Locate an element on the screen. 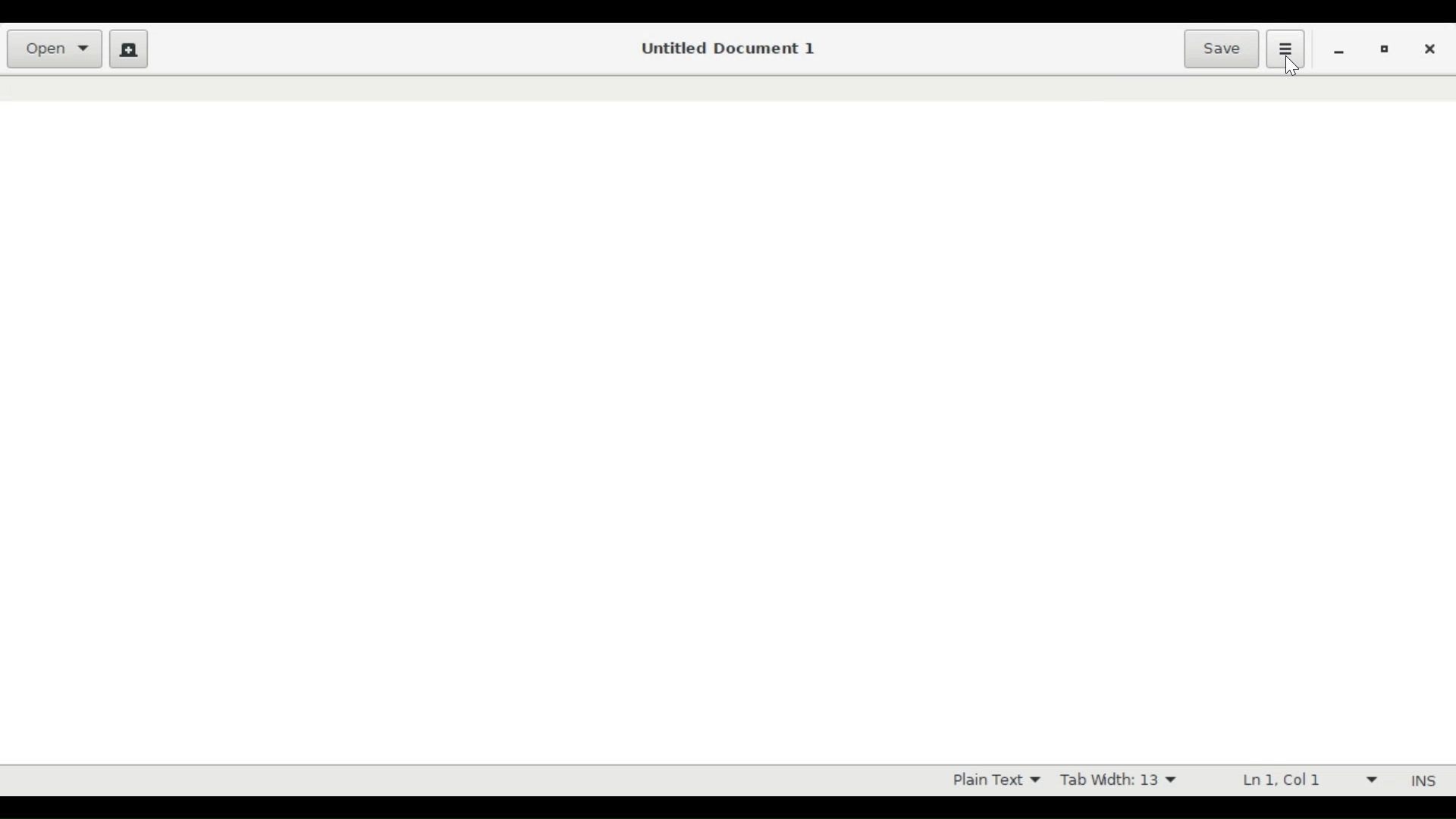 Image resolution: width=1456 pixels, height=819 pixels. Ln 1 Col 1 is located at coordinates (1301, 779).